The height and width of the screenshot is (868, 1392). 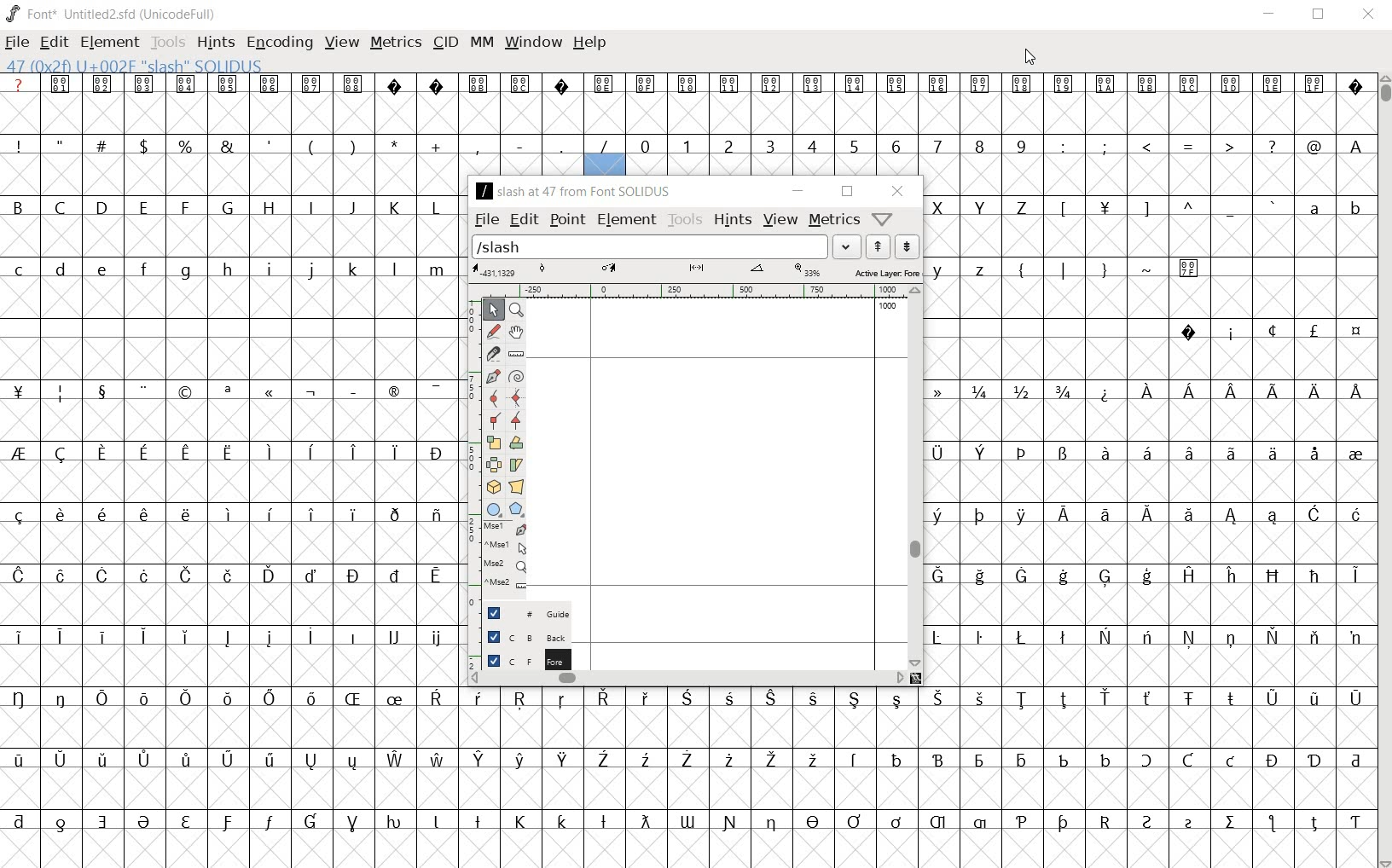 I want to click on special symbols, so click(x=685, y=84).